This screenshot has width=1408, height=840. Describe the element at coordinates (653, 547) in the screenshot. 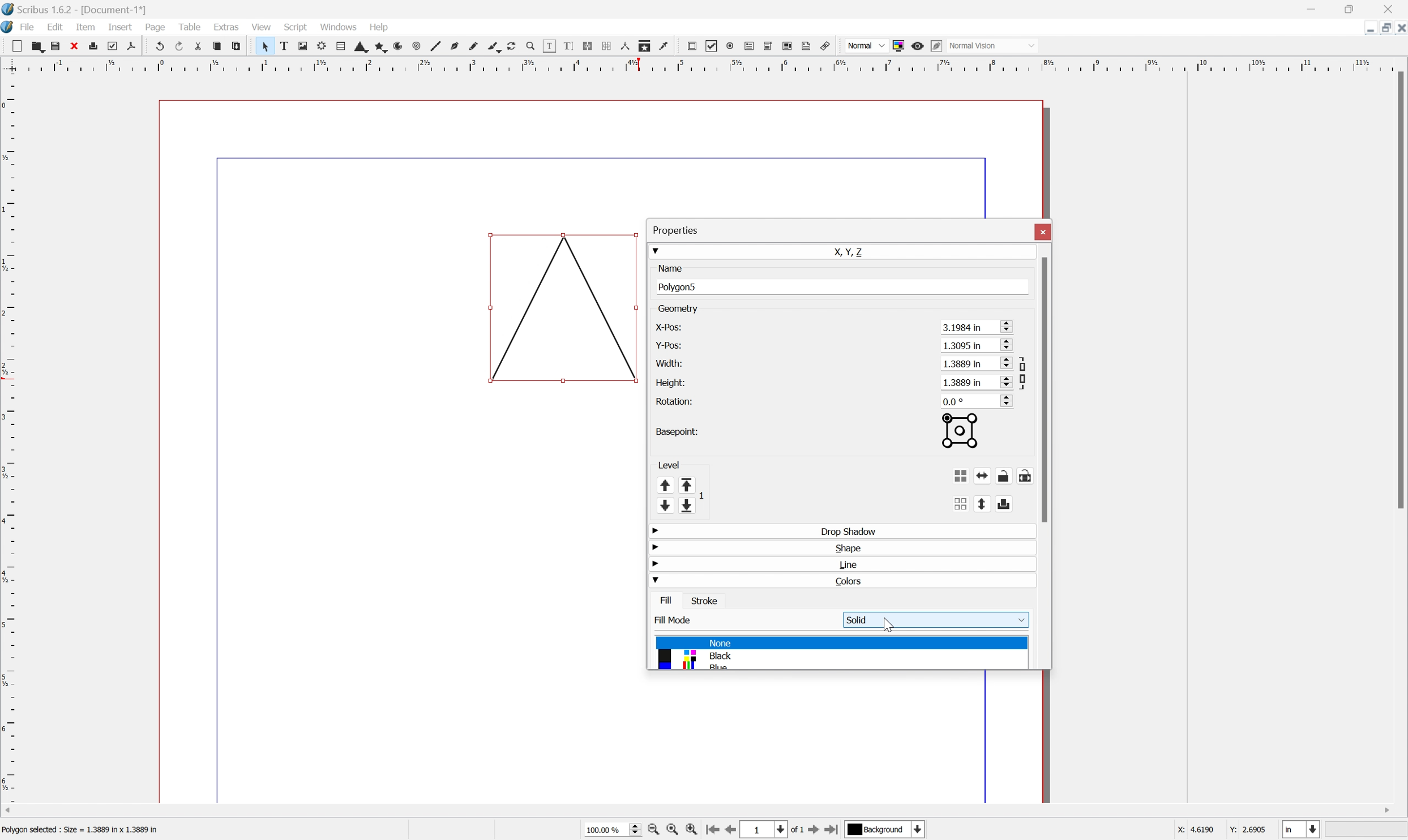

I see `Drop Down` at that location.